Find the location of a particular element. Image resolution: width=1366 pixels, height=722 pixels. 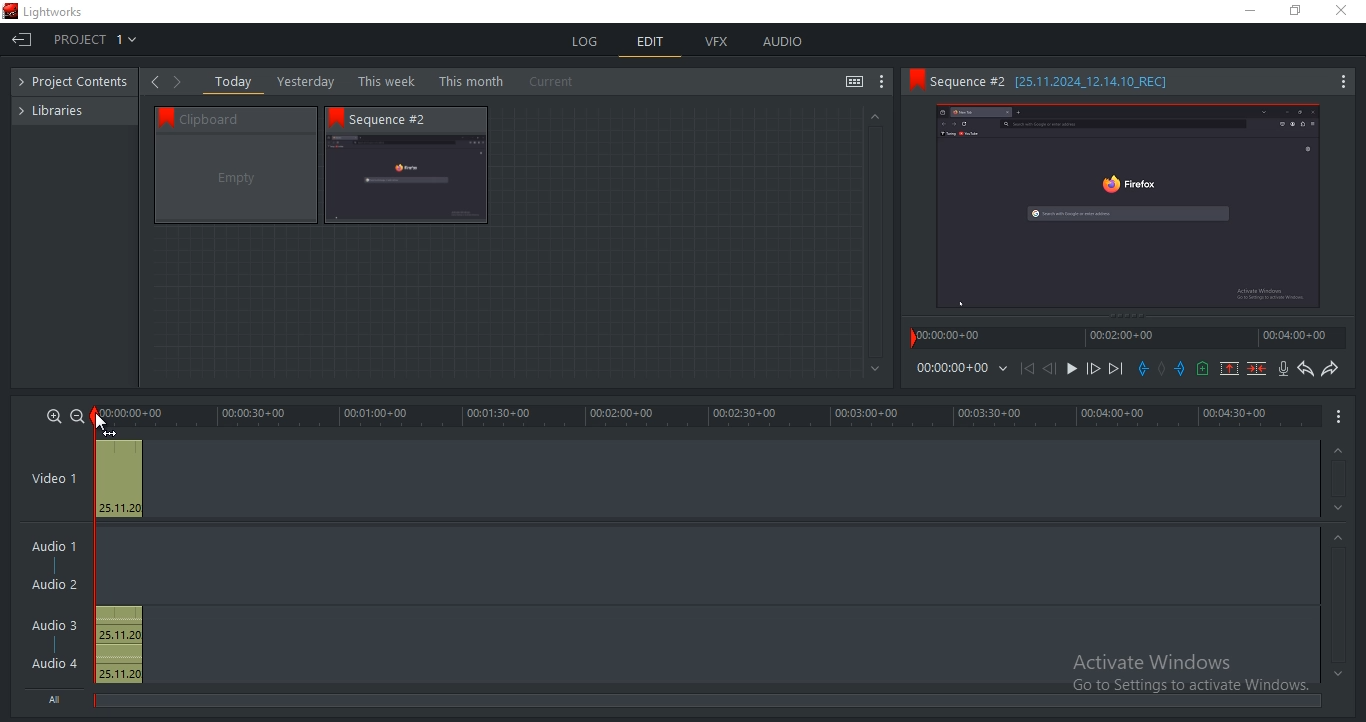

project is located at coordinates (79, 83).